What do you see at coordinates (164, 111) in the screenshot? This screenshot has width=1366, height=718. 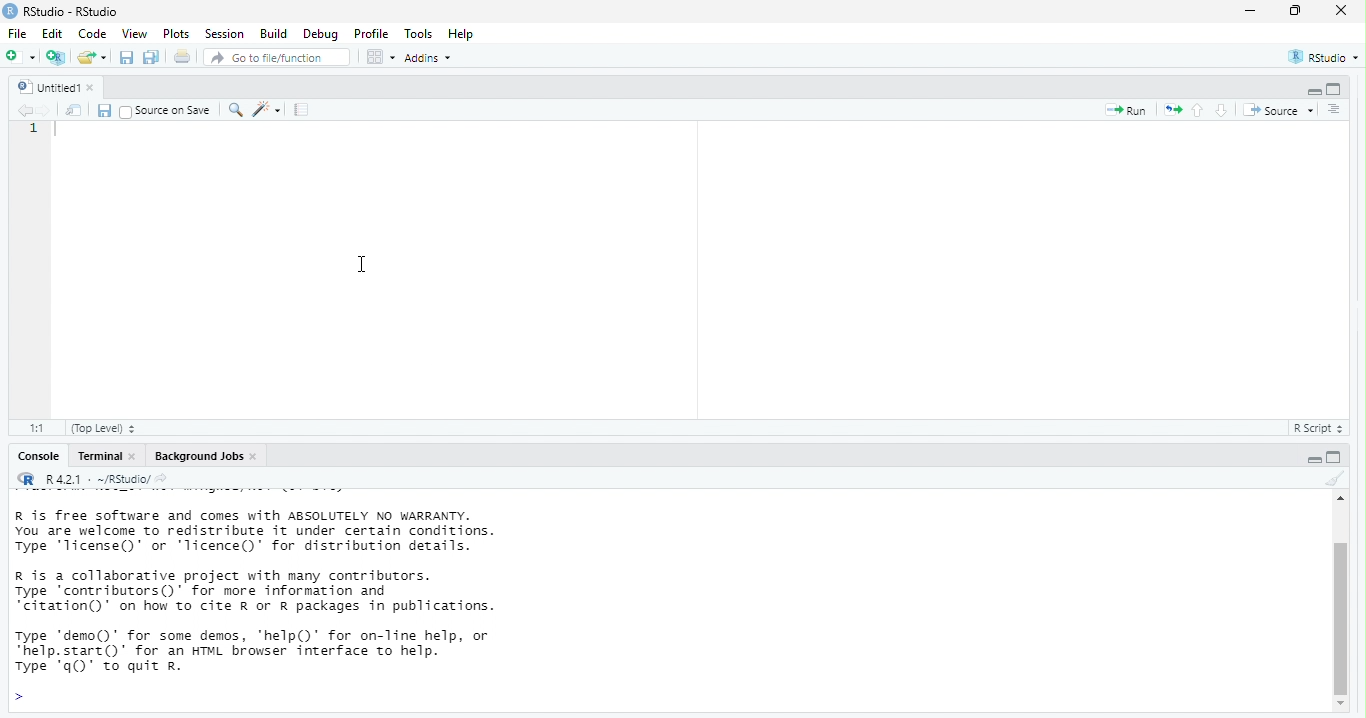 I see `source on save` at bounding box center [164, 111].